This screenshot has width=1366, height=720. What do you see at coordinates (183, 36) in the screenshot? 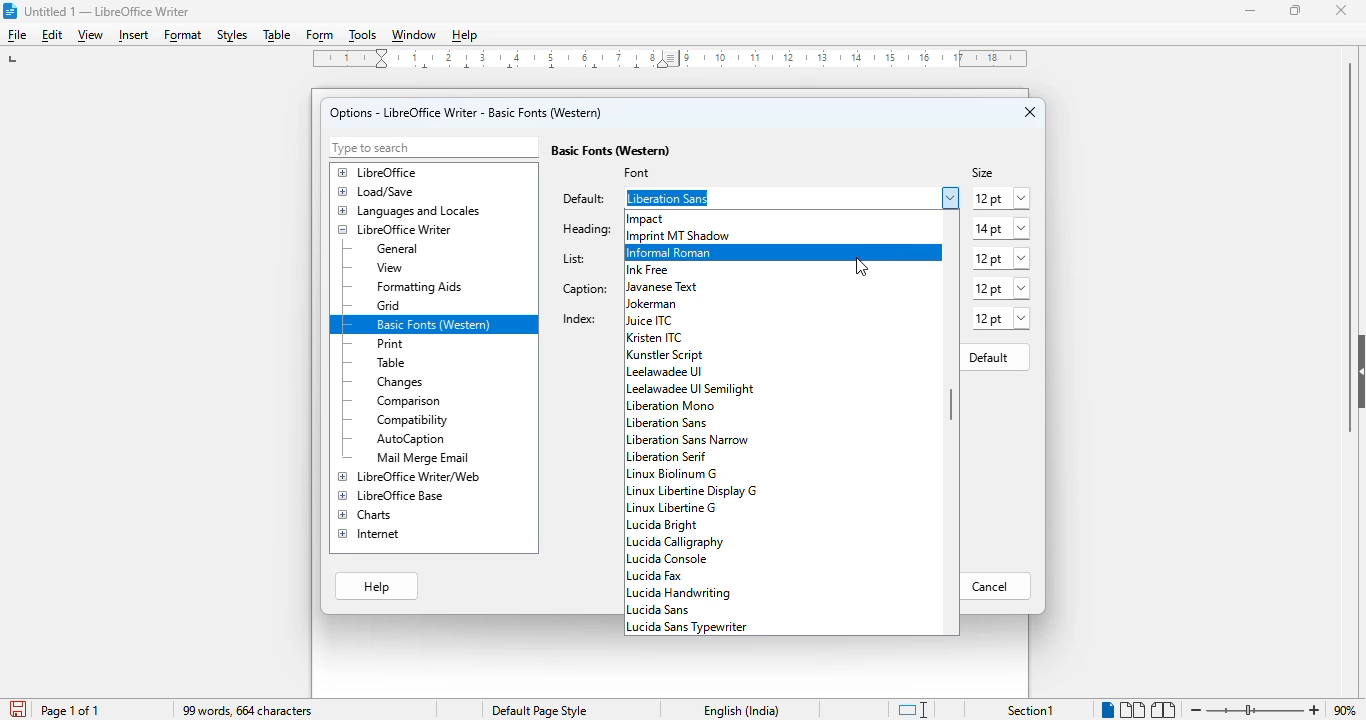
I see `format` at bounding box center [183, 36].